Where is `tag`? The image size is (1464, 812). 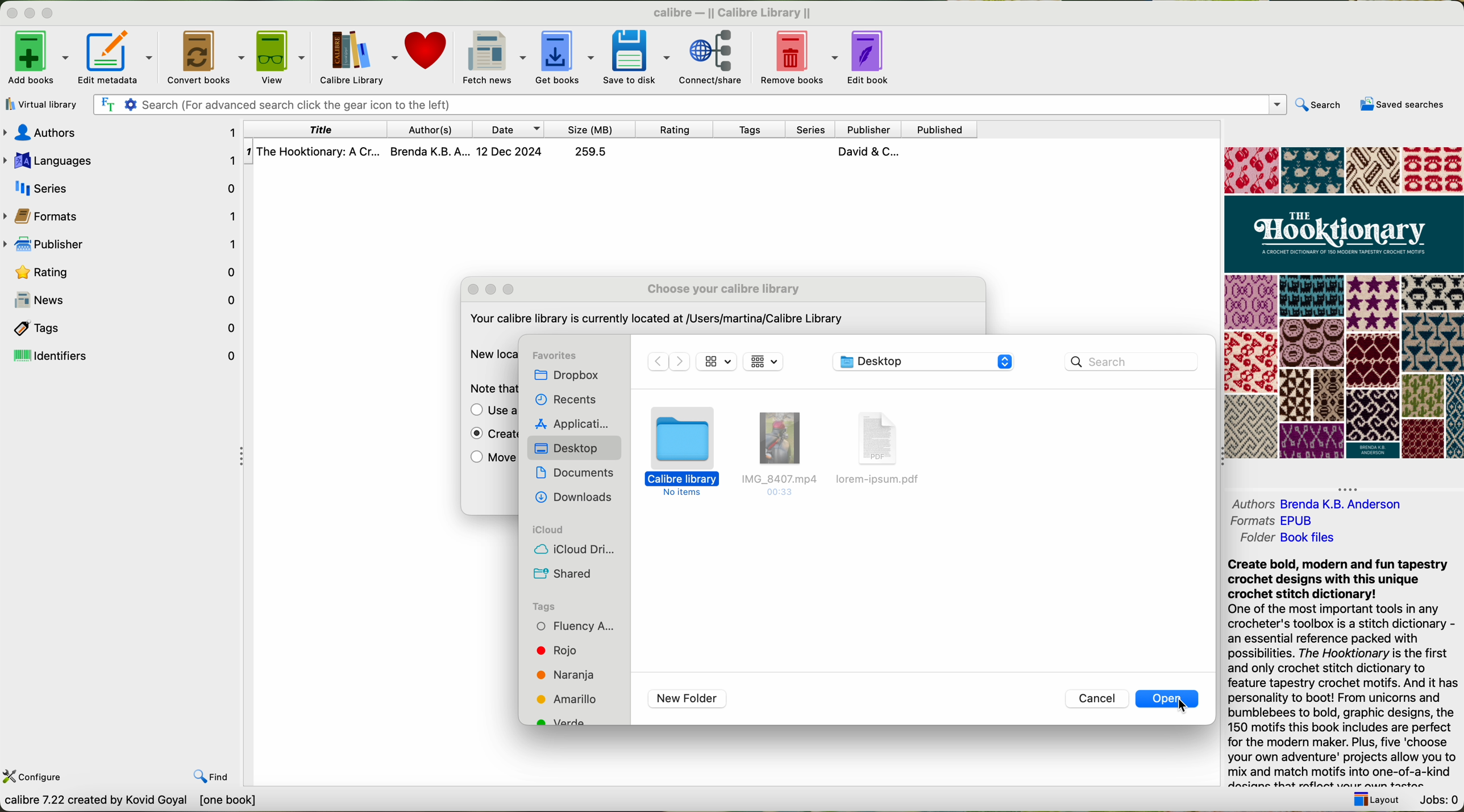
tag is located at coordinates (575, 628).